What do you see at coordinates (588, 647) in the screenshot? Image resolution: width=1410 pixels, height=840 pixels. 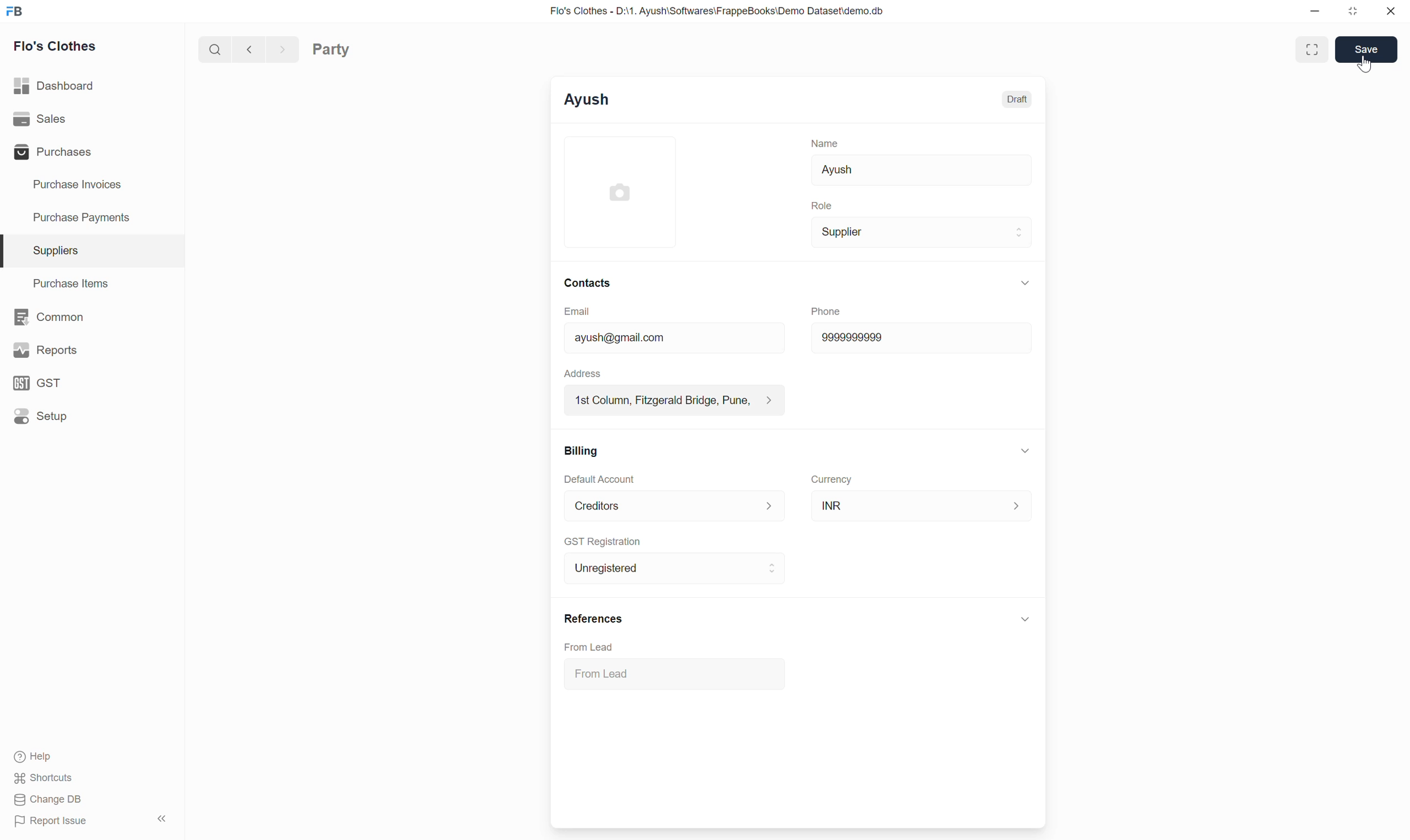 I see `From Lead` at bounding box center [588, 647].